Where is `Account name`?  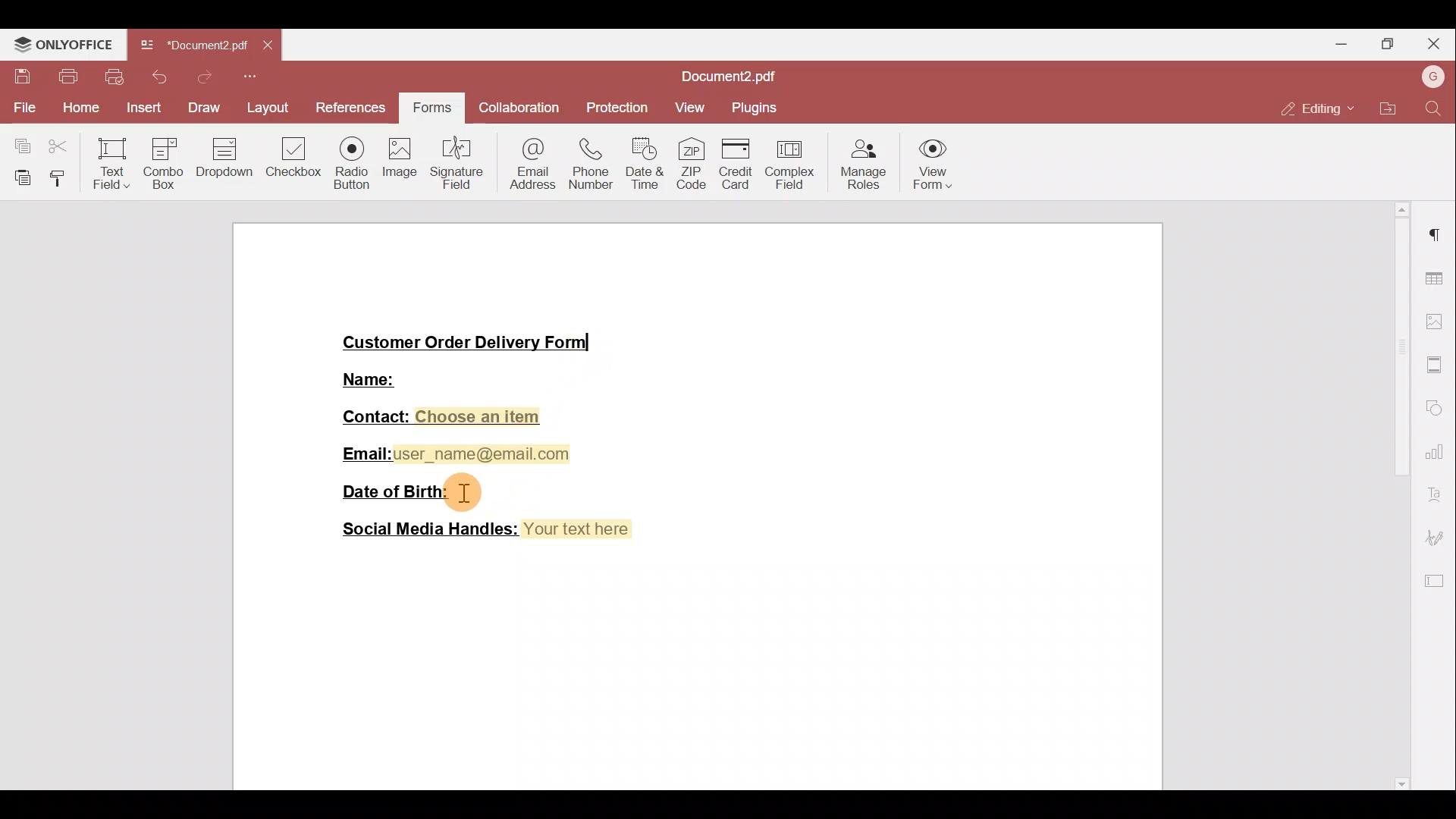 Account name is located at coordinates (1432, 76).